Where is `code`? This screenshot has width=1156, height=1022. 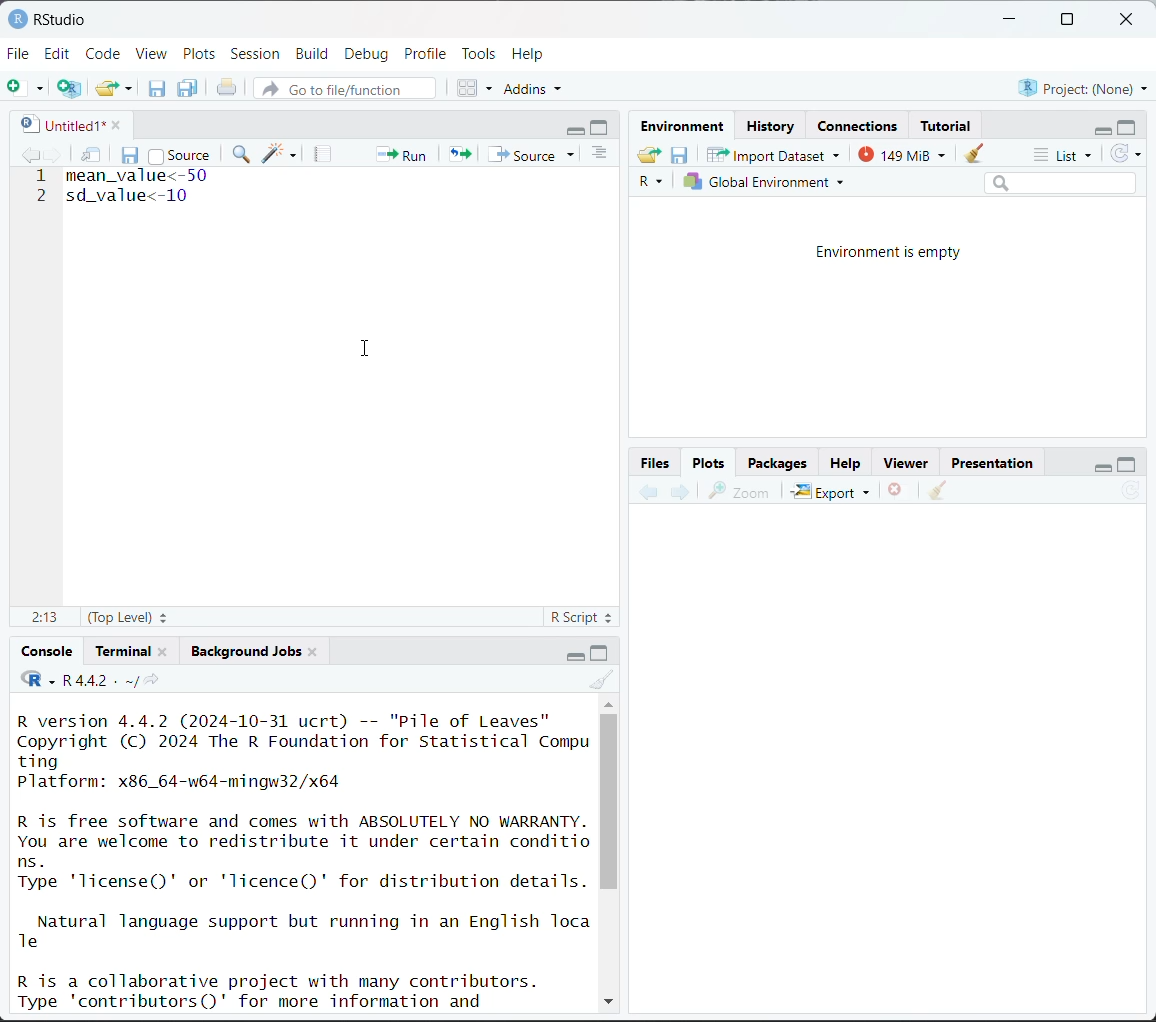
code is located at coordinates (37, 680).